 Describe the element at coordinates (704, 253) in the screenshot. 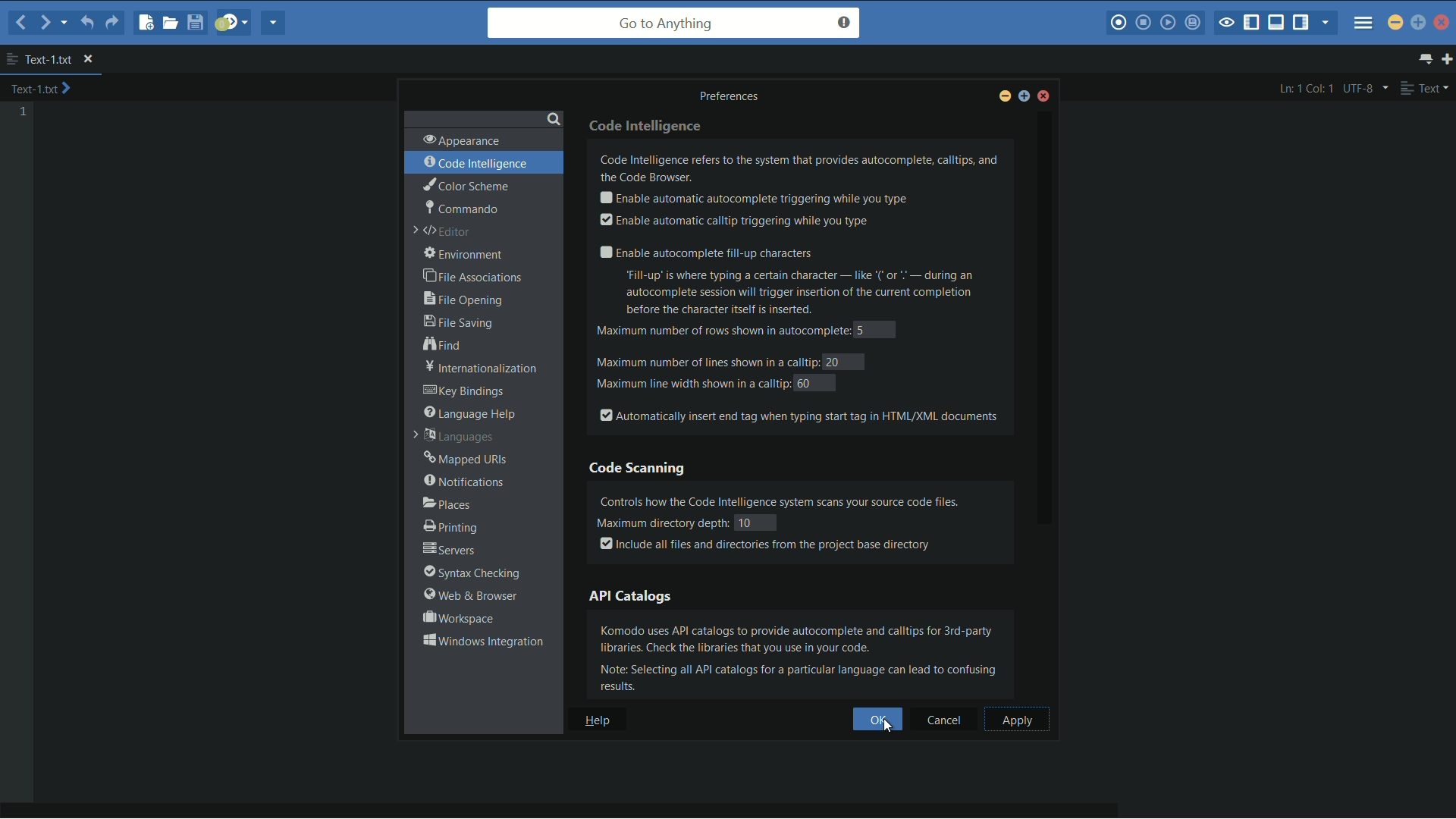

I see `enable autocomplete fill up character` at that location.